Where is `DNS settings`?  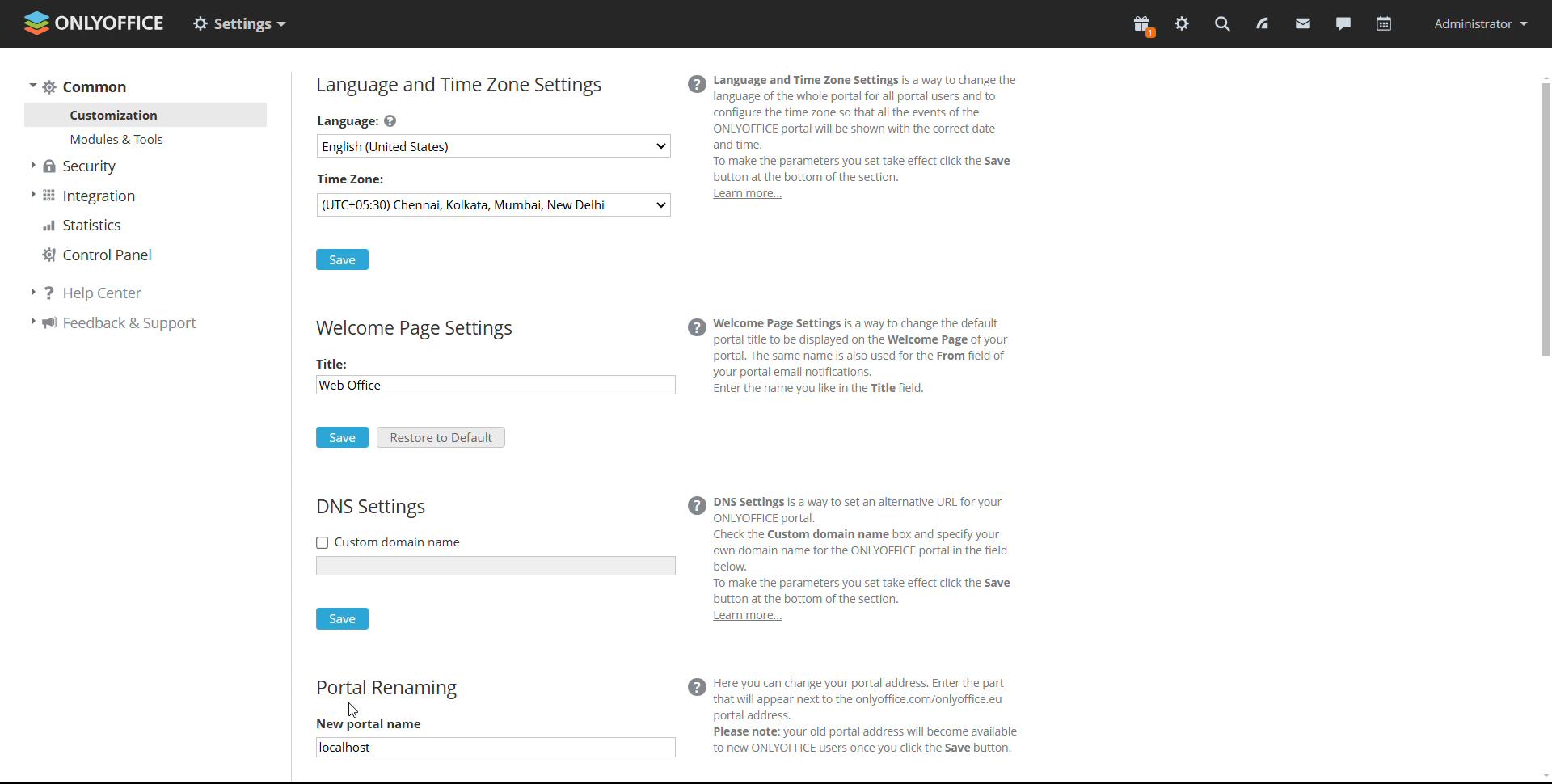 DNS settings is located at coordinates (371, 509).